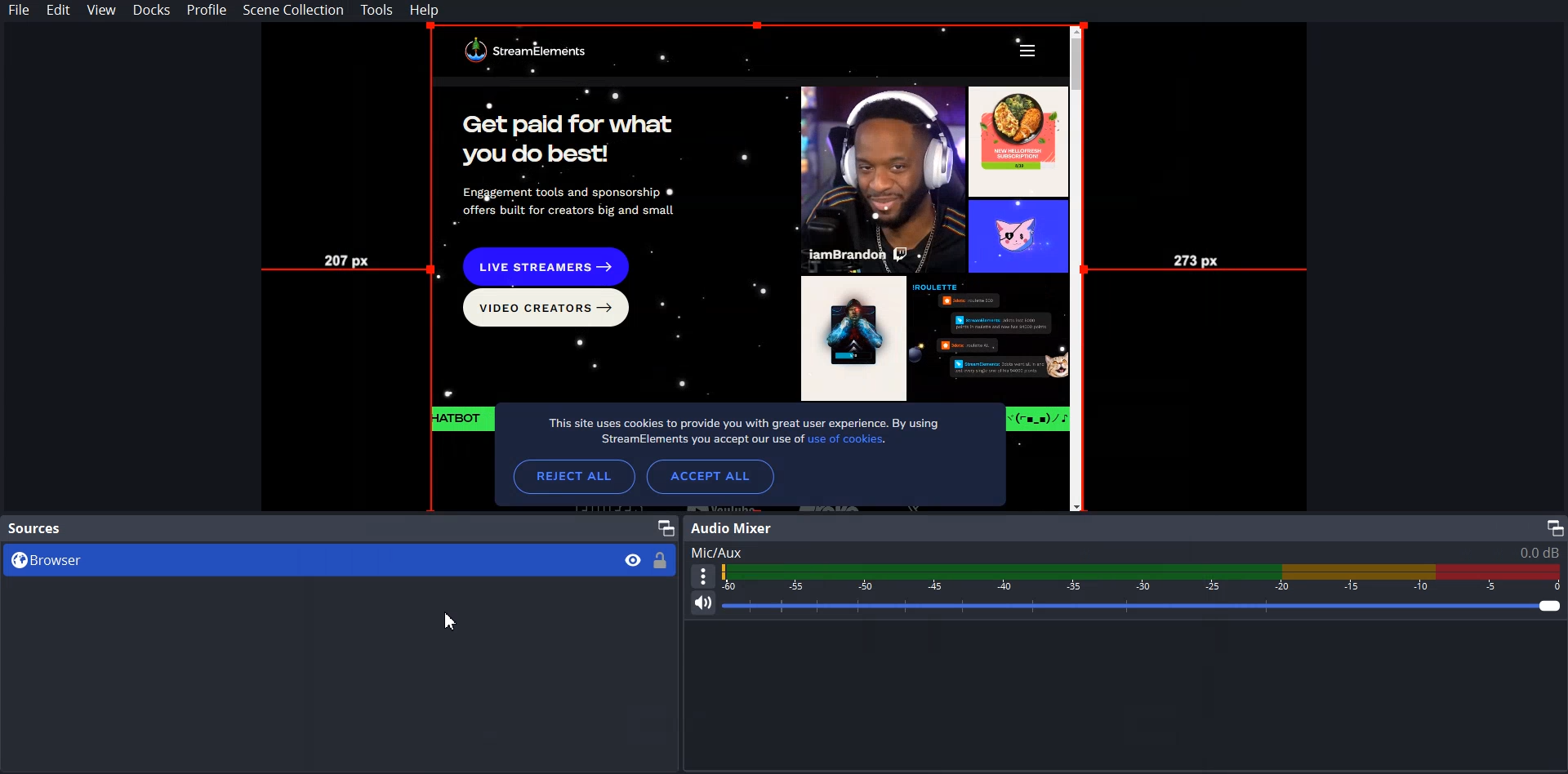  What do you see at coordinates (37, 527) in the screenshot?
I see `Source ` at bounding box center [37, 527].